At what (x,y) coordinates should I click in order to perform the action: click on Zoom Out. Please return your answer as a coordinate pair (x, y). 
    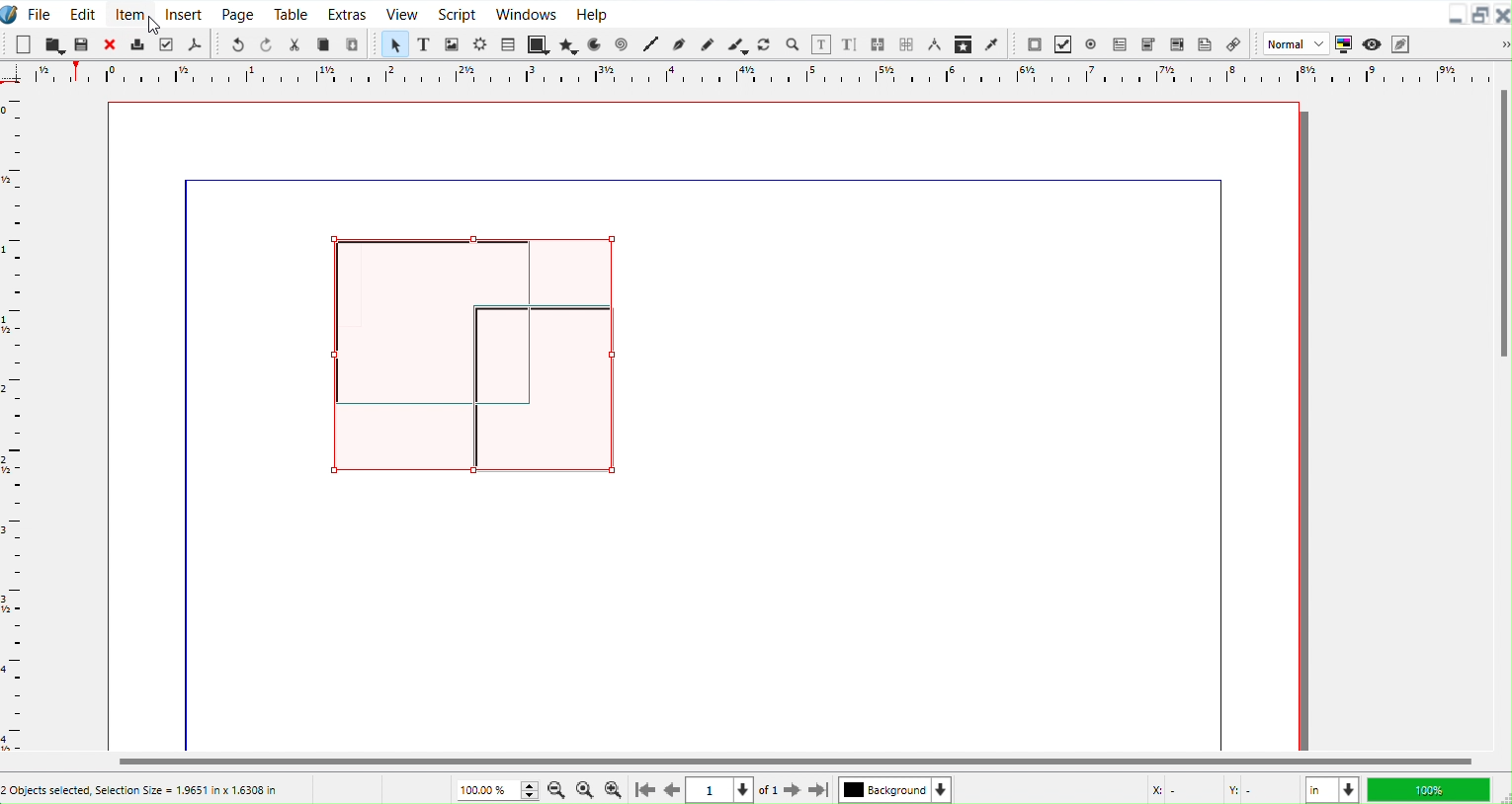
    Looking at the image, I should click on (557, 789).